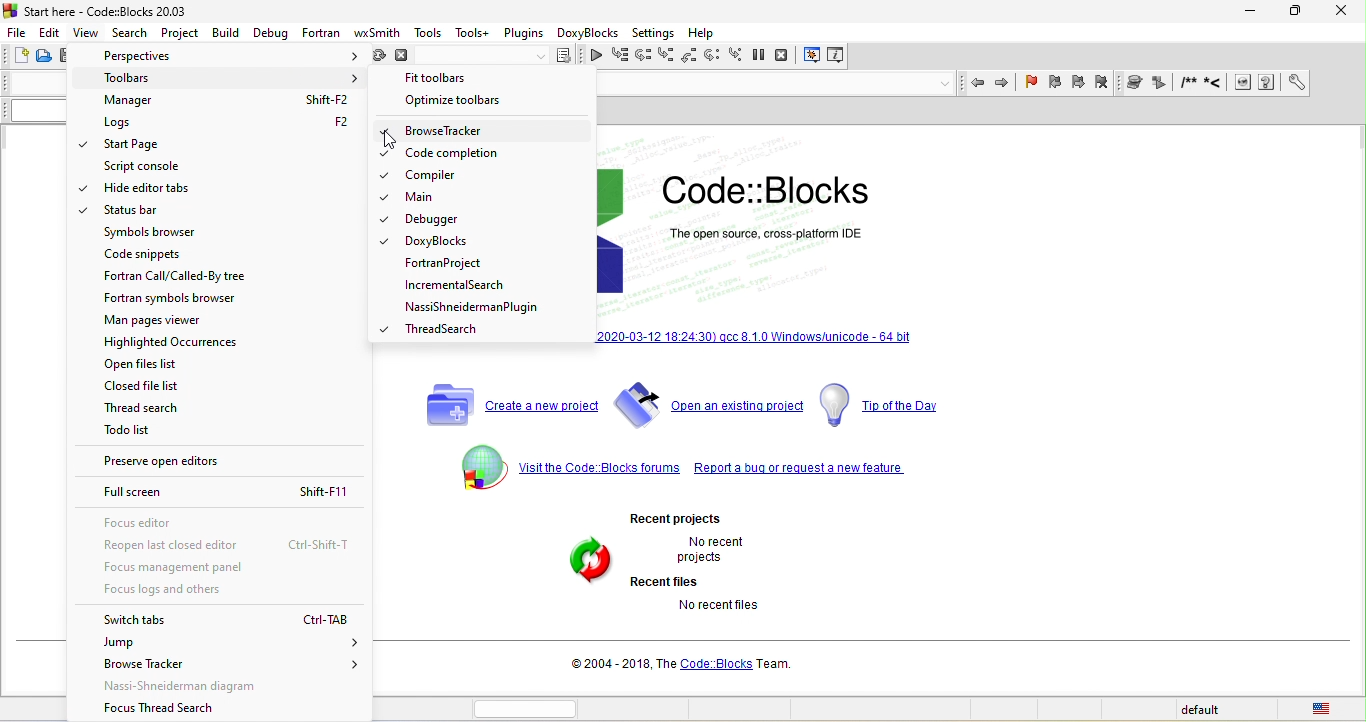  I want to click on run to cursor, so click(620, 57).